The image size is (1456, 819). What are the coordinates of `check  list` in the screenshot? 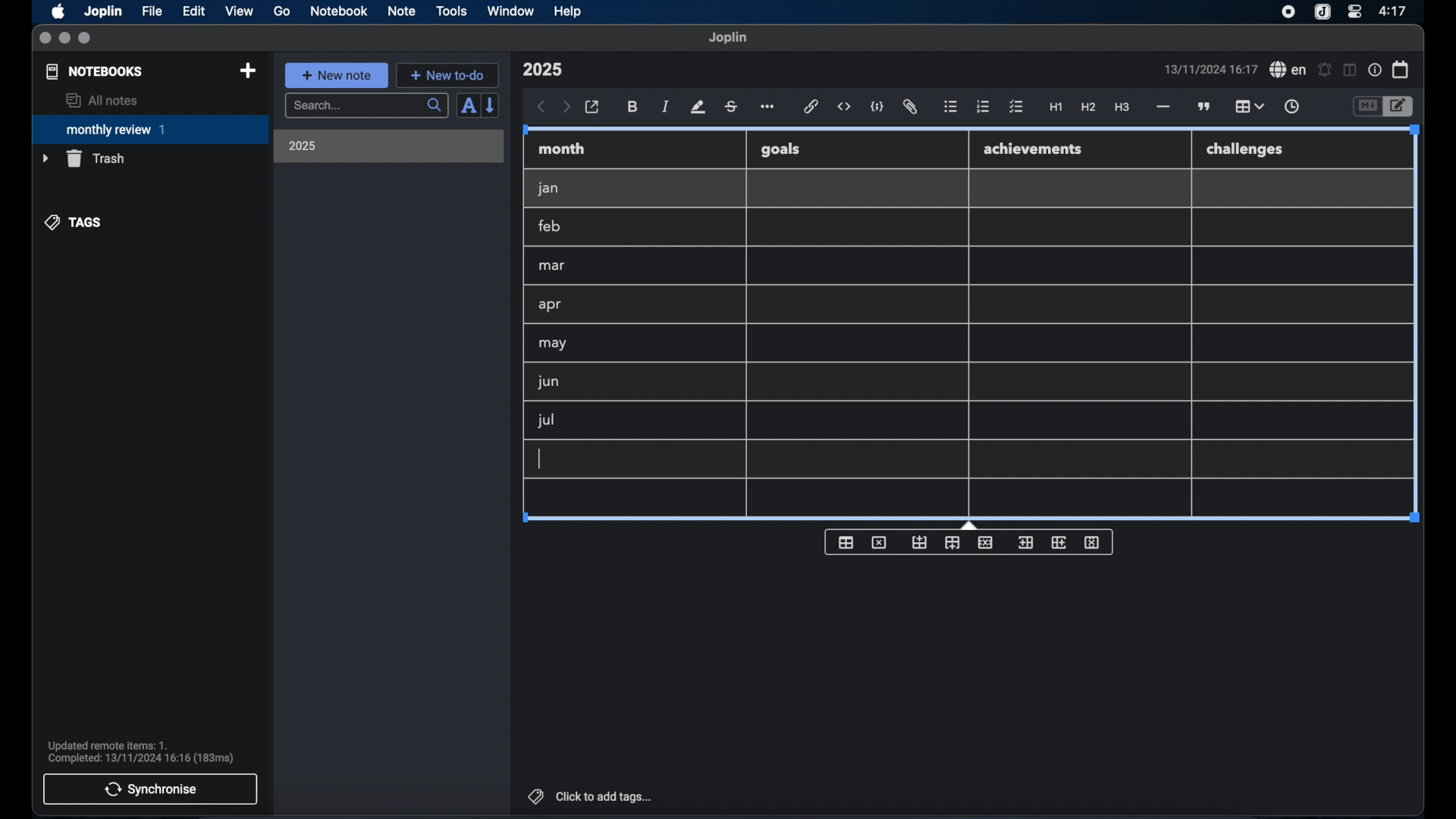 It's located at (1016, 108).